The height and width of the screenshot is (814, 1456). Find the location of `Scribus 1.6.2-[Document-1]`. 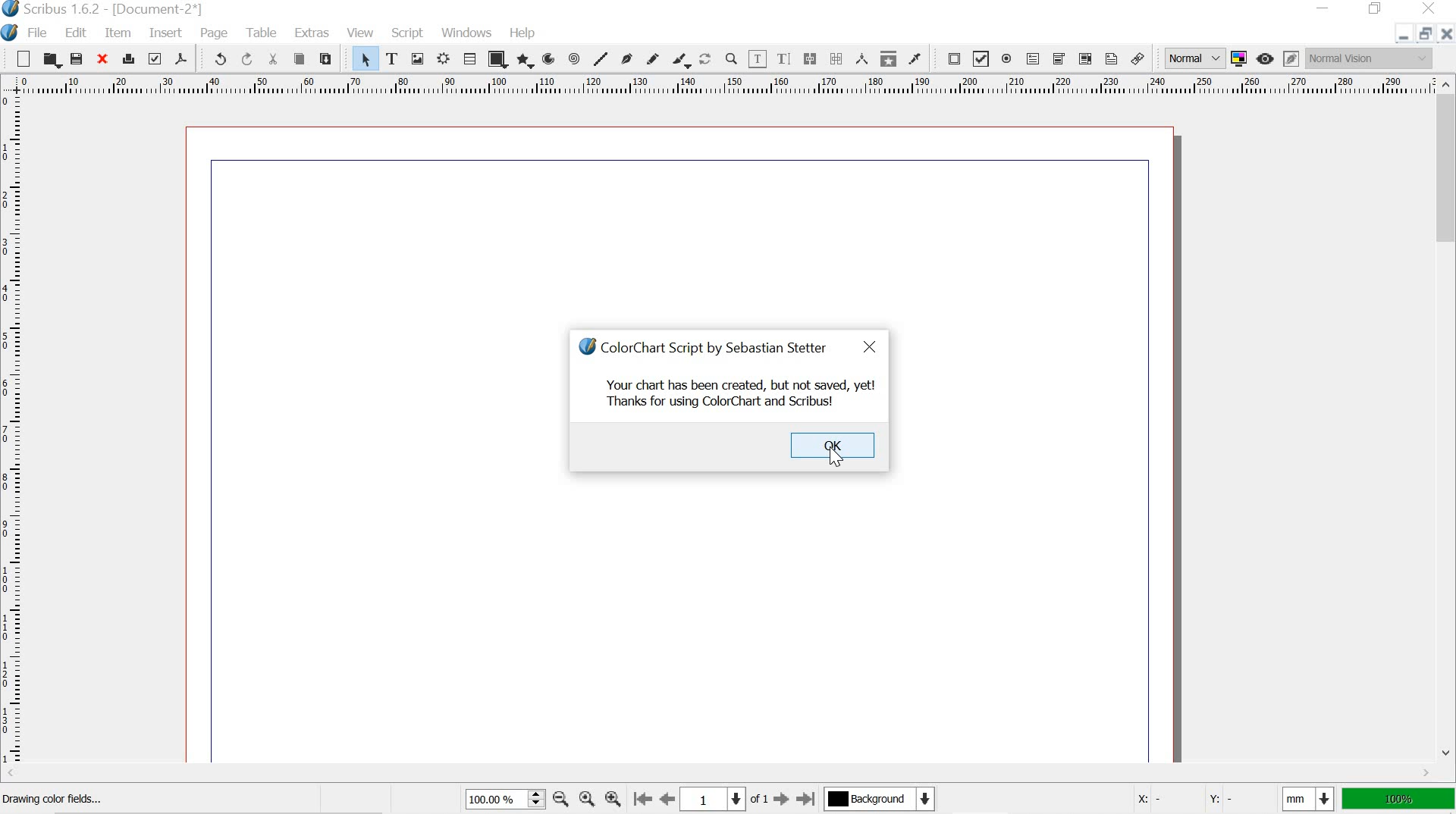

Scribus 1.6.2-[Document-1] is located at coordinates (123, 9).